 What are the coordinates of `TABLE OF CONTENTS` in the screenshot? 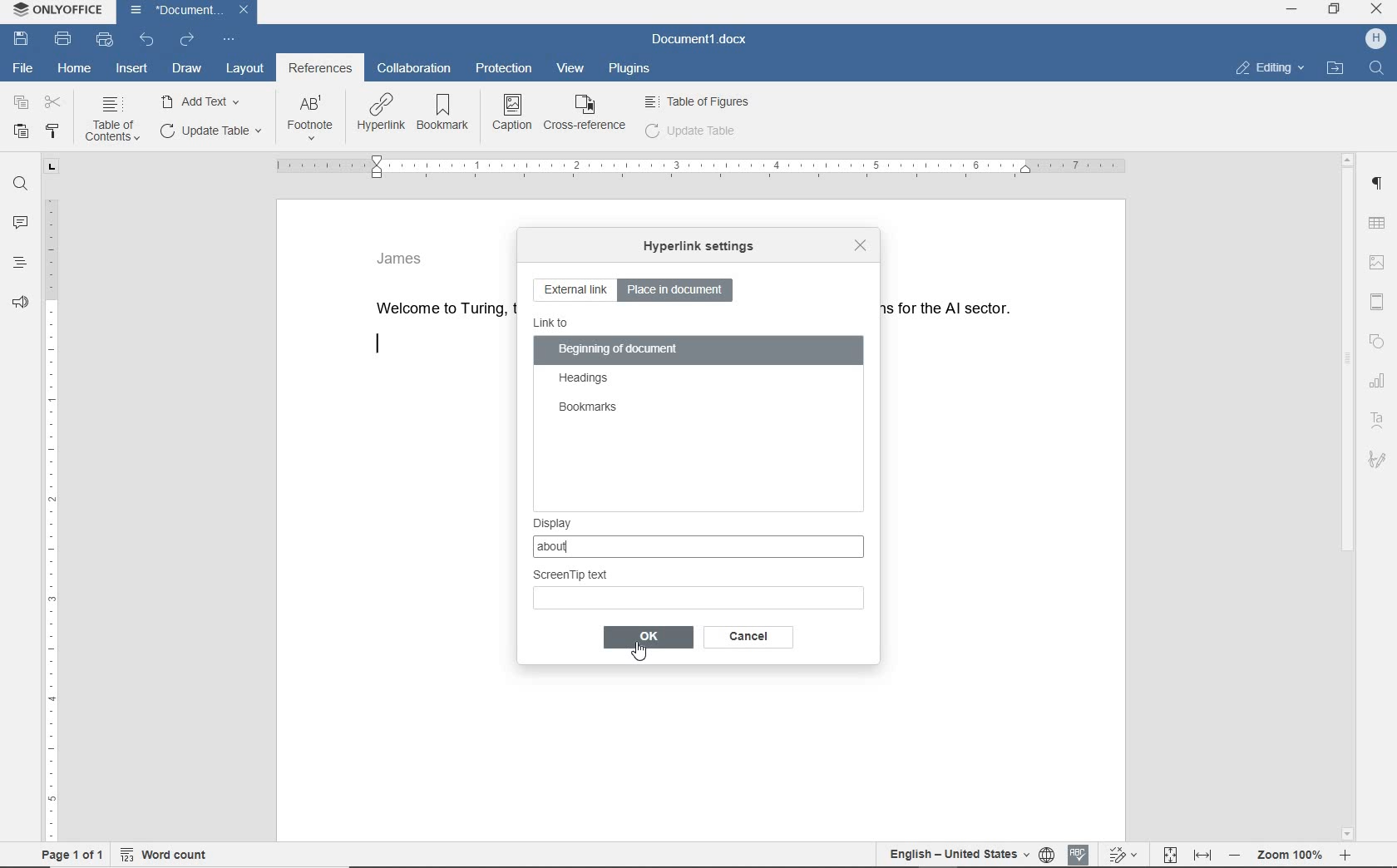 It's located at (116, 120).